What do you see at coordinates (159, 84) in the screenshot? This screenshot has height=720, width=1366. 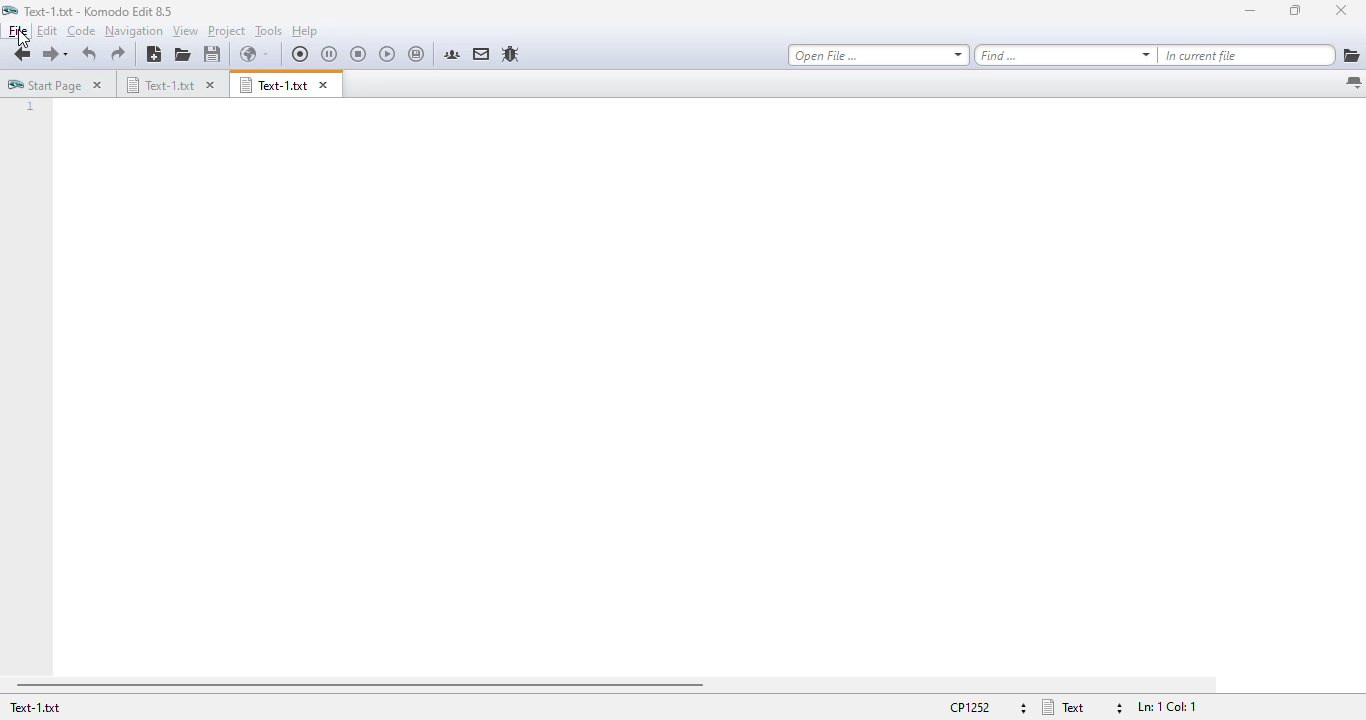 I see `text-1 ` at bounding box center [159, 84].